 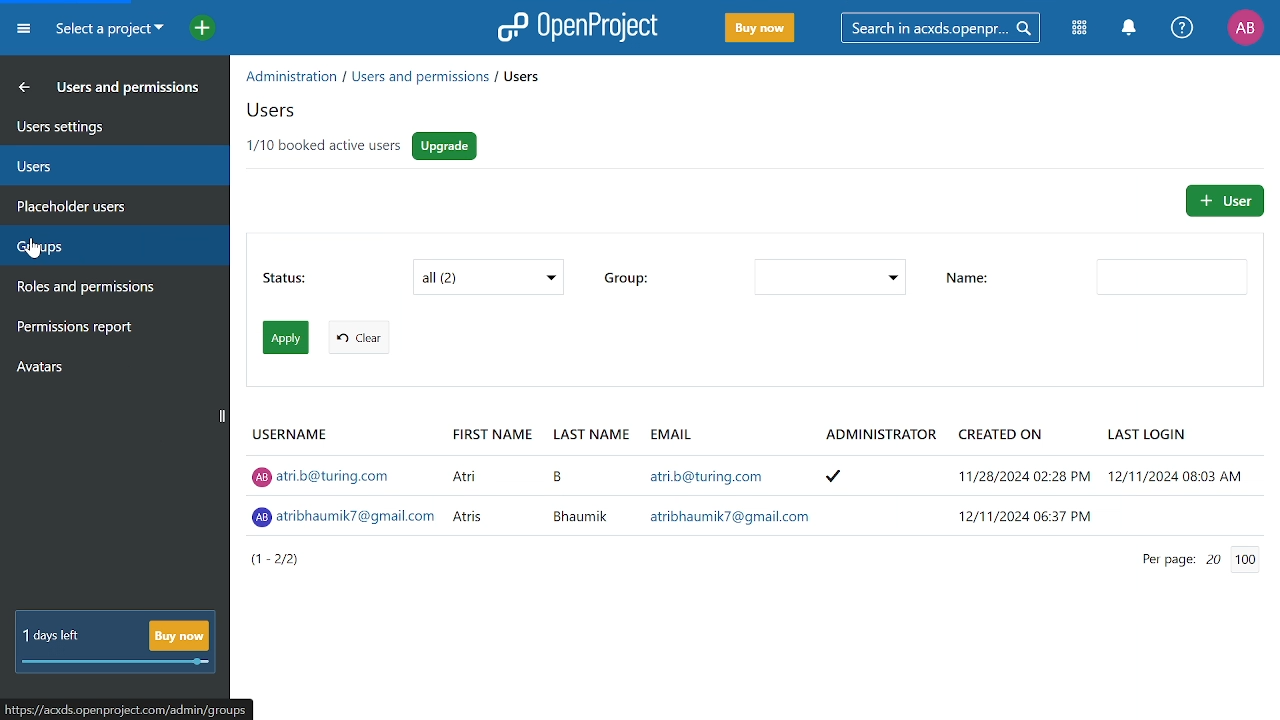 What do you see at coordinates (294, 437) in the screenshot?
I see `Username` at bounding box center [294, 437].